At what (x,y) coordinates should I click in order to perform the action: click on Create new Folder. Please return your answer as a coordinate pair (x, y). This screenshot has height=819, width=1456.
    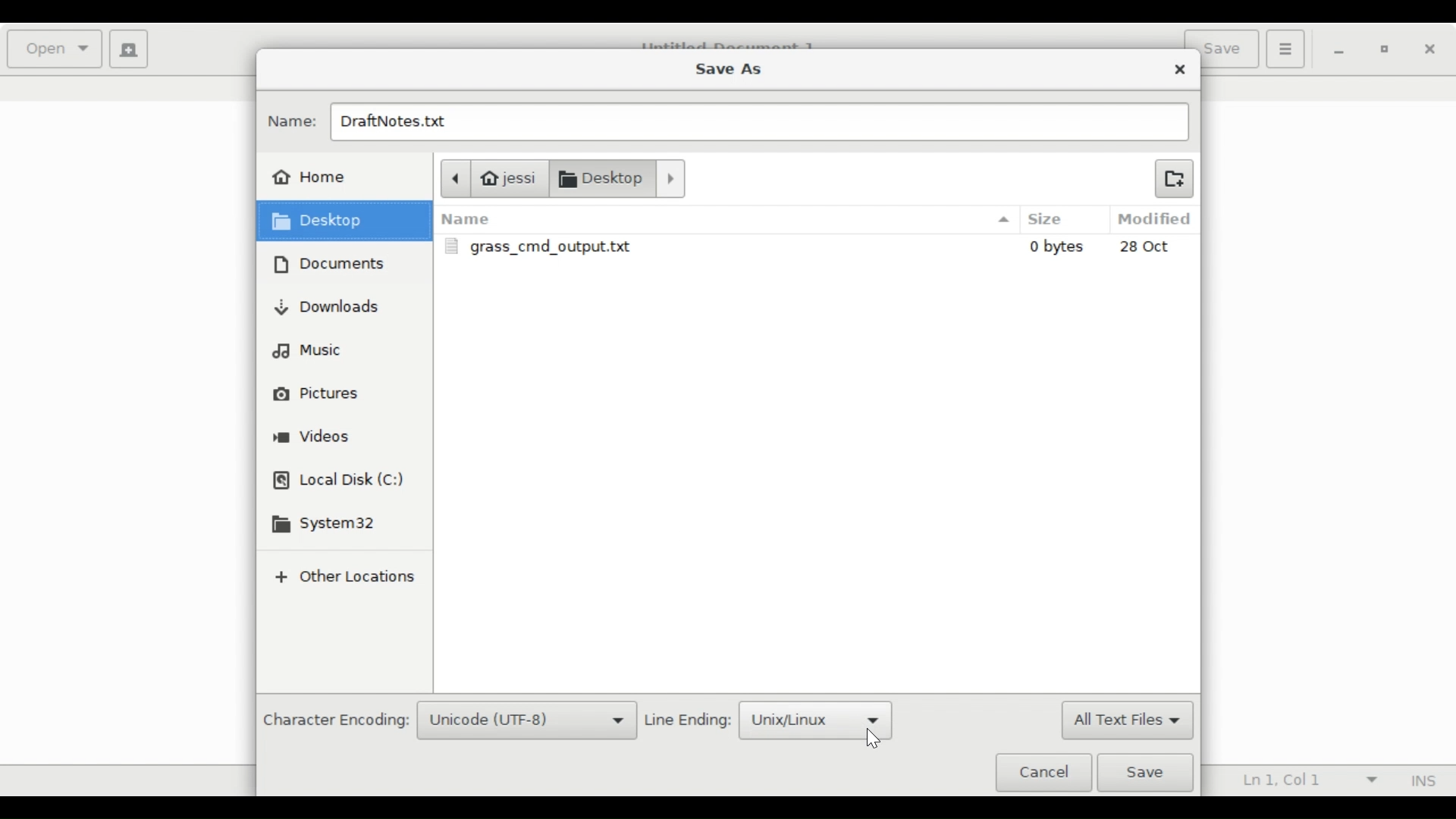
    Looking at the image, I should click on (1173, 177).